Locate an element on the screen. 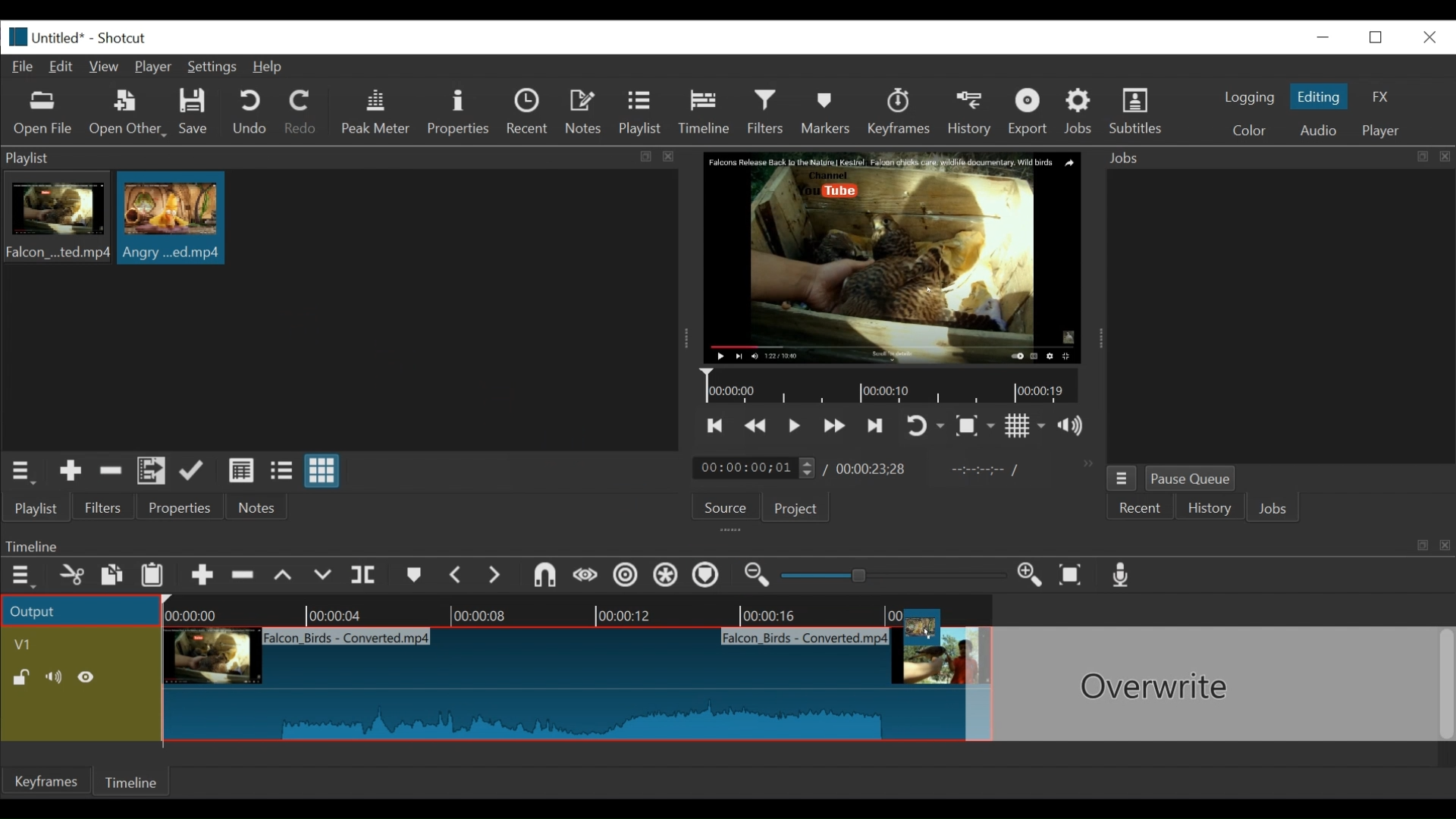 This screenshot has width=1456, height=819. Filters is located at coordinates (770, 112).